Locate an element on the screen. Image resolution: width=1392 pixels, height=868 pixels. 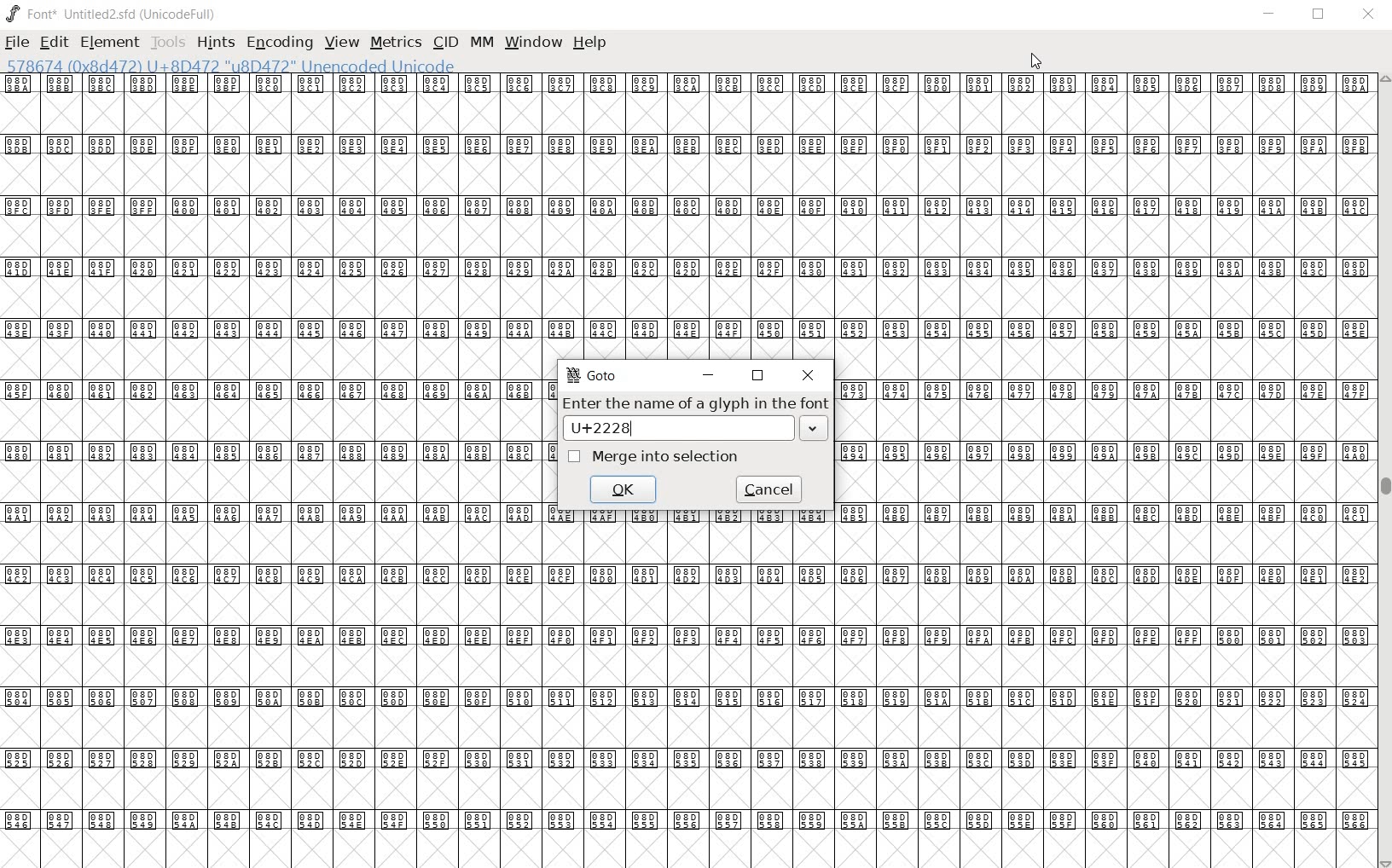
tools is located at coordinates (167, 43).